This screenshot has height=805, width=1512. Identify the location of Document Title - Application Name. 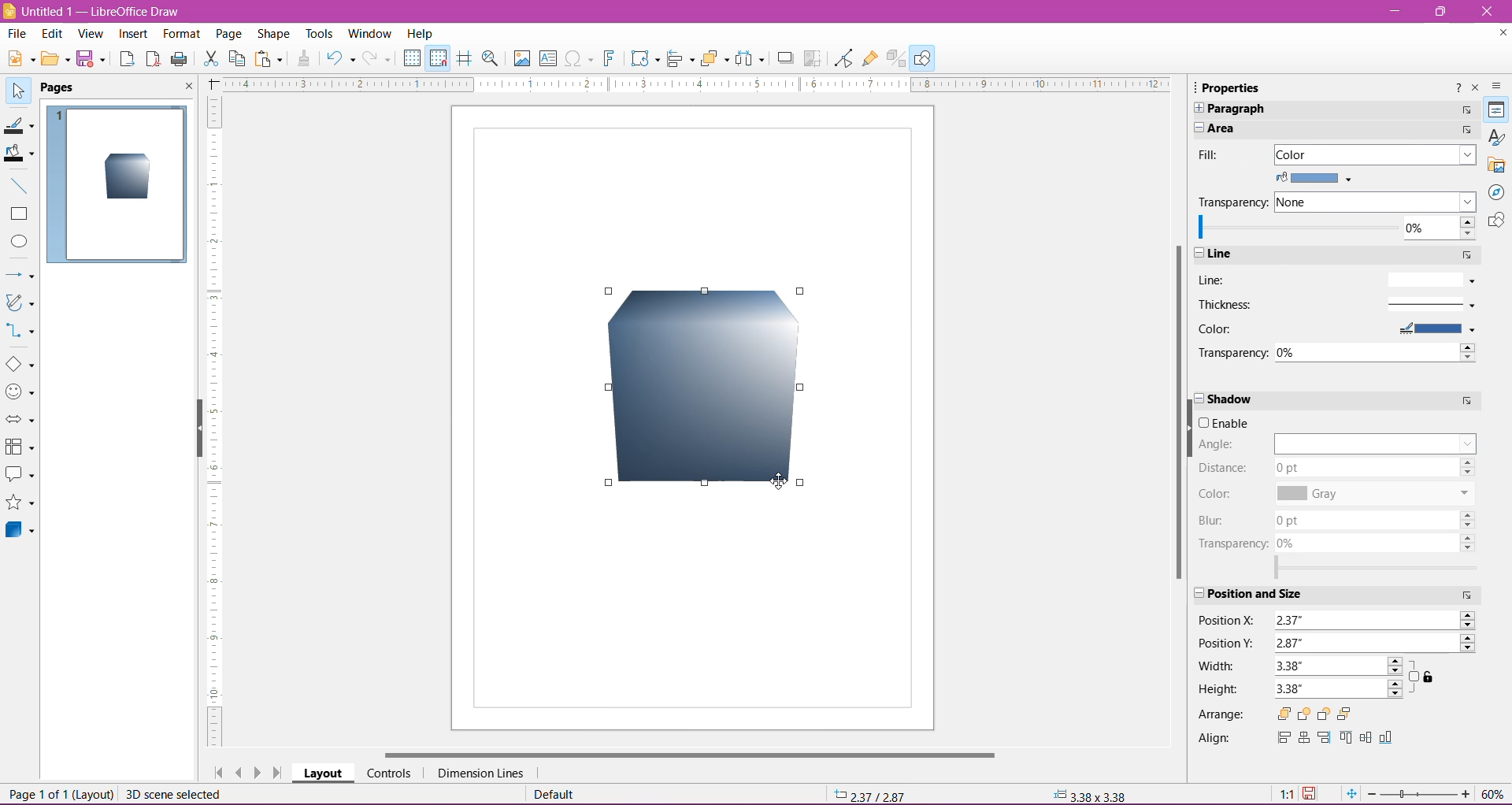
(94, 11).